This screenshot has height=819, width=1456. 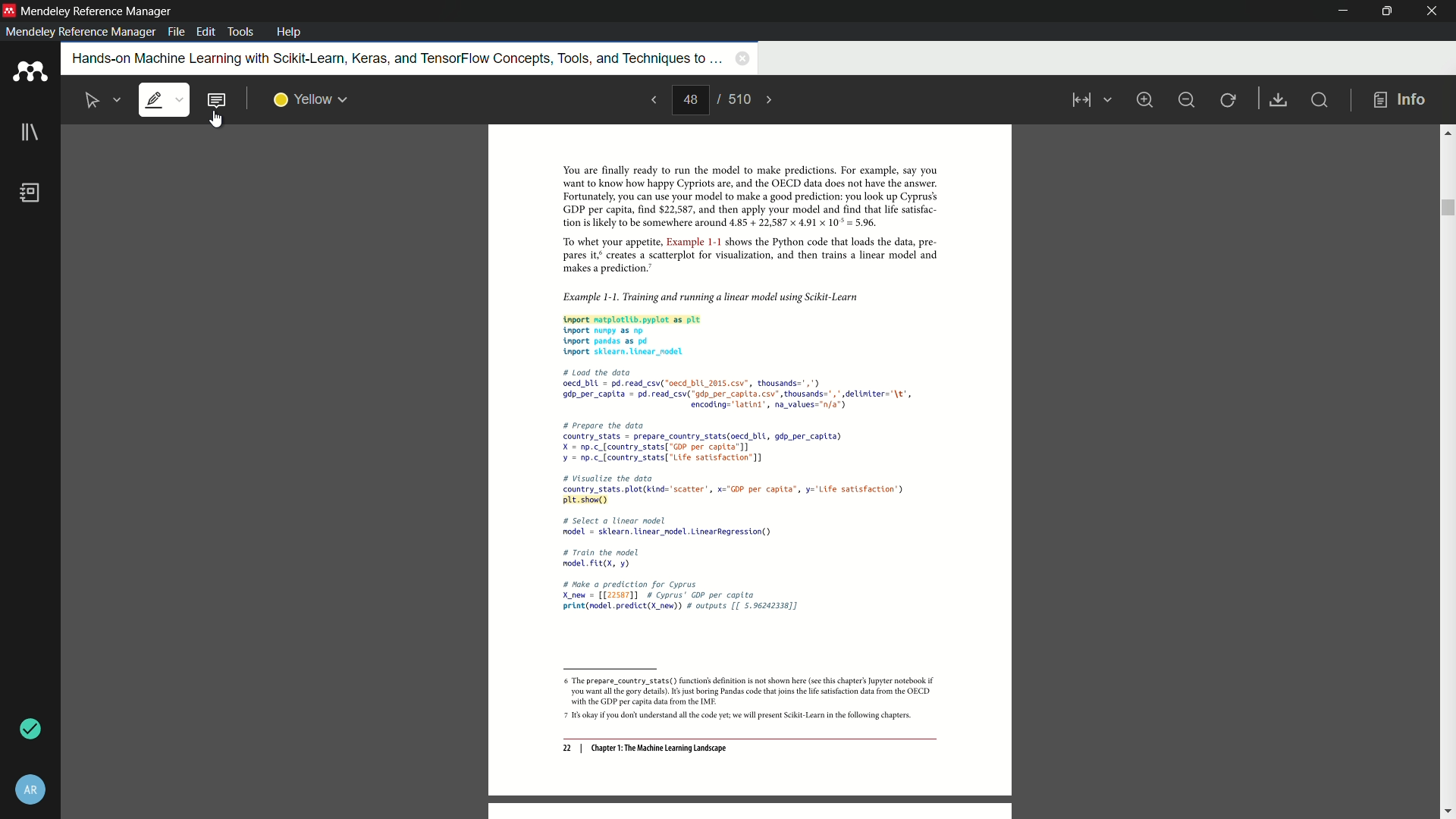 I want to click on minimize, so click(x=1345, y=11).